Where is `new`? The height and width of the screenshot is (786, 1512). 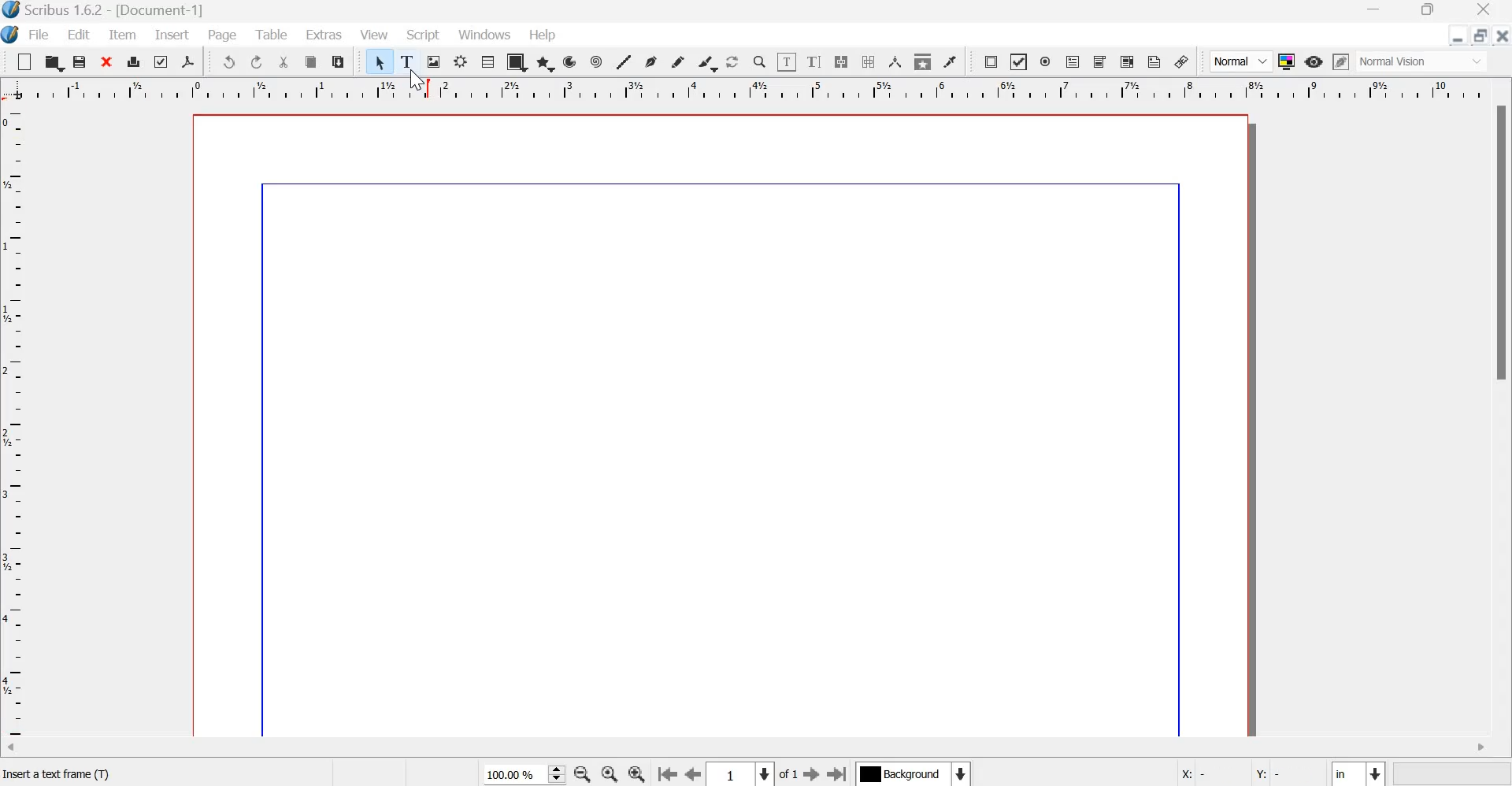 new is located at coordinates (24, 61).